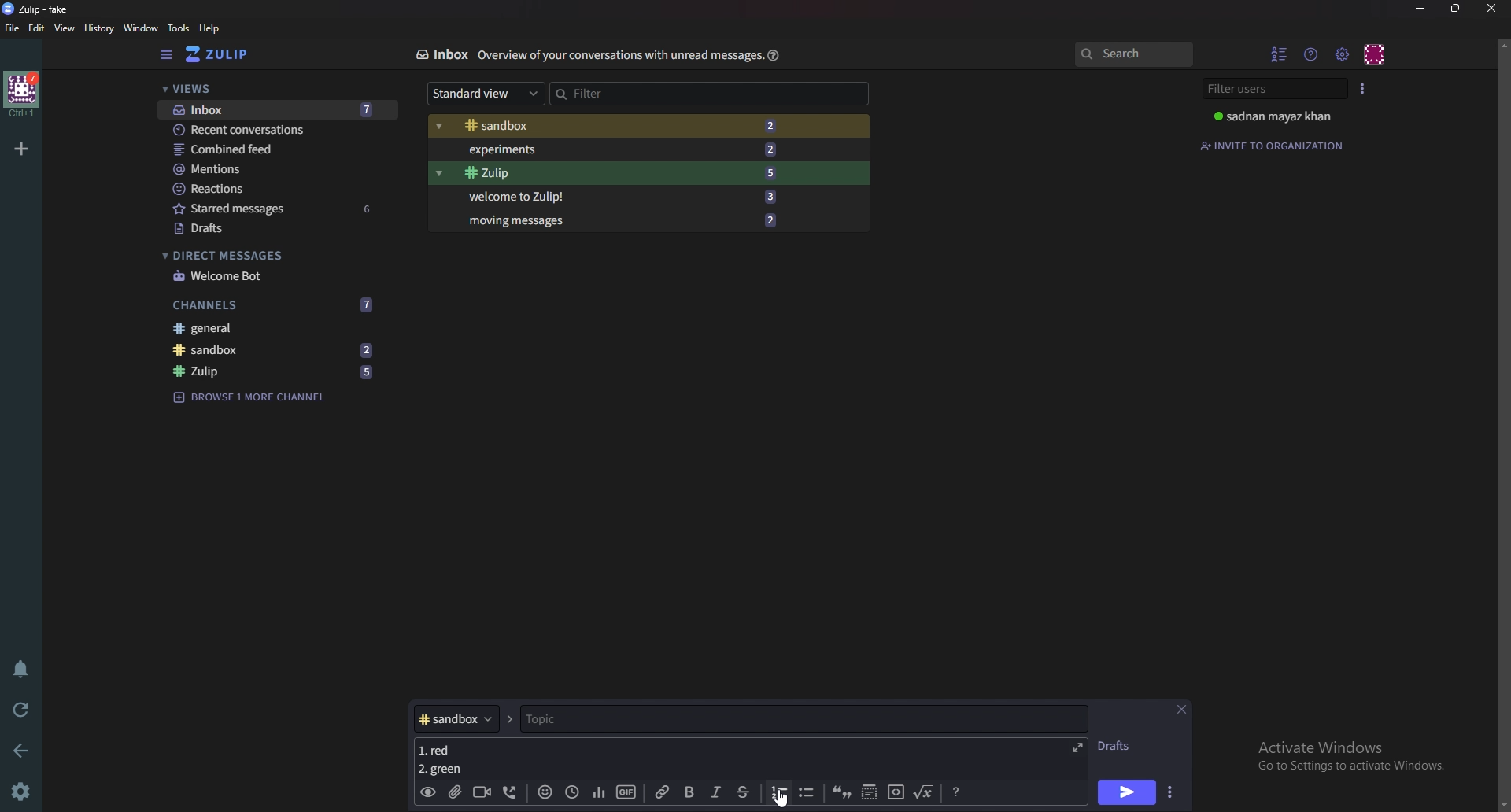  Describe the element at coordinates (955, 792) in the screenshot. I see `Message formatting` at that location.